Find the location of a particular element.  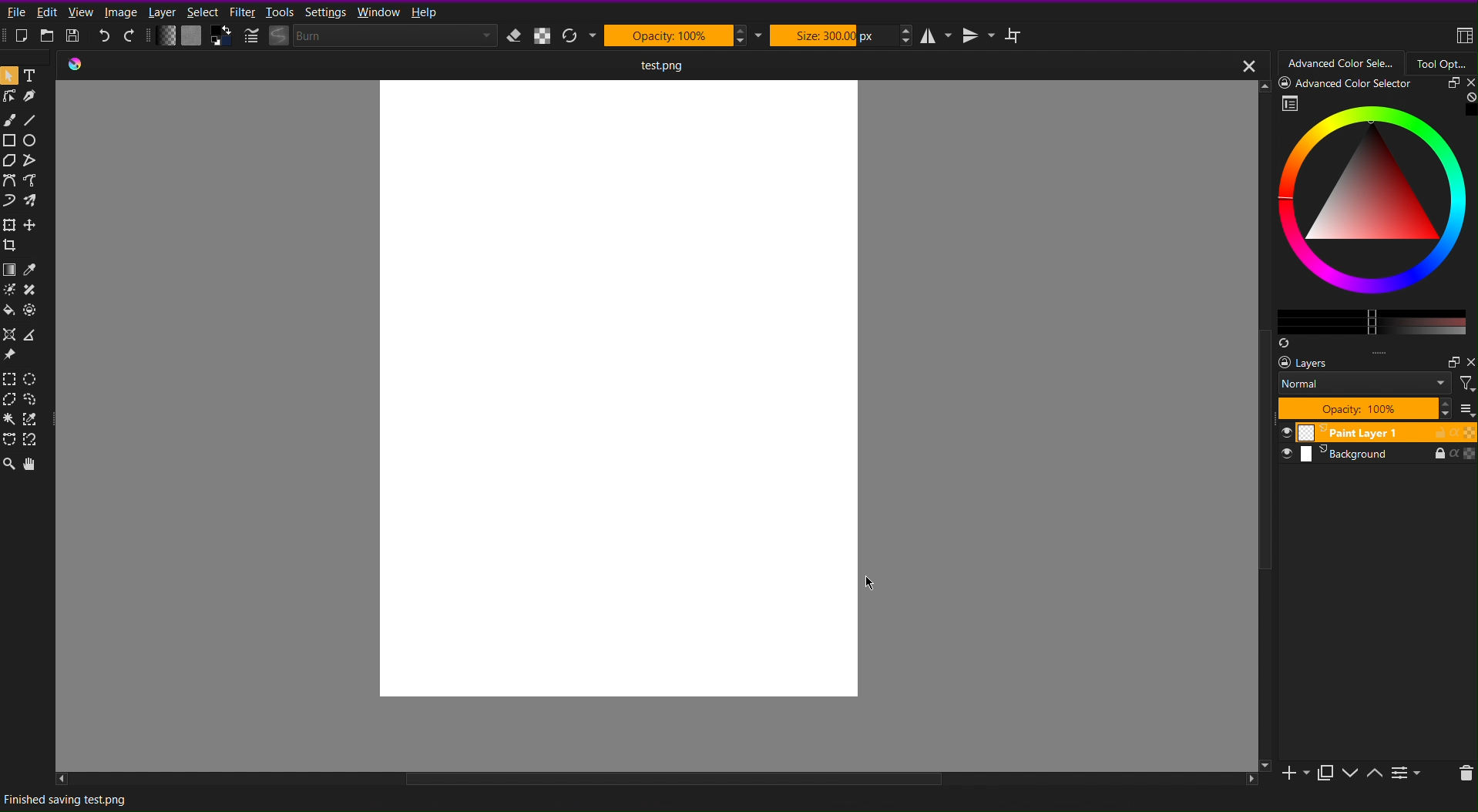

Zoom is located at coordinates (9, 465).